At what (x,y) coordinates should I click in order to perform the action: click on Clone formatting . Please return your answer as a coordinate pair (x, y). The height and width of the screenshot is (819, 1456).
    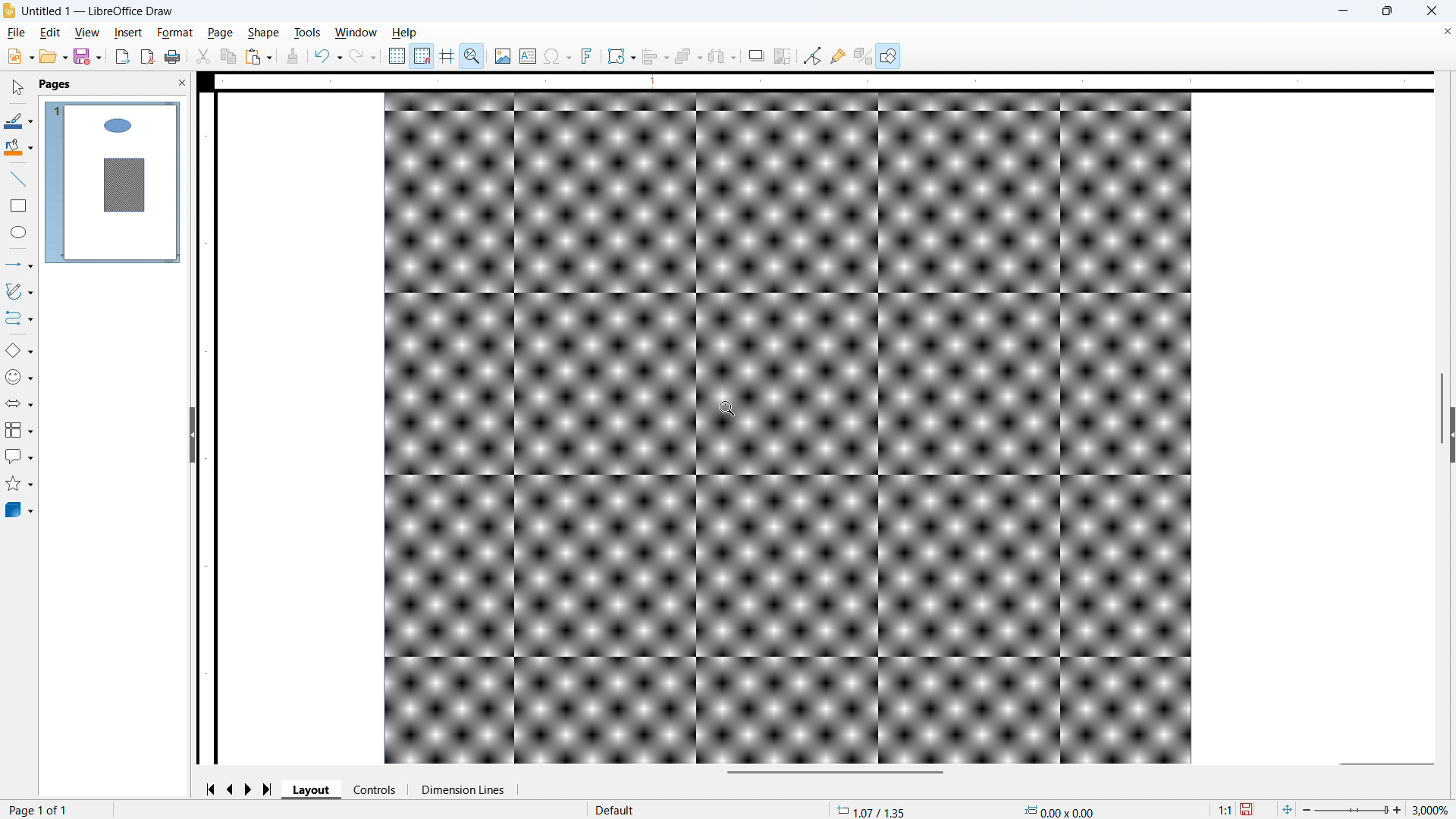
    Looking at the image, I should click on (293, 56).